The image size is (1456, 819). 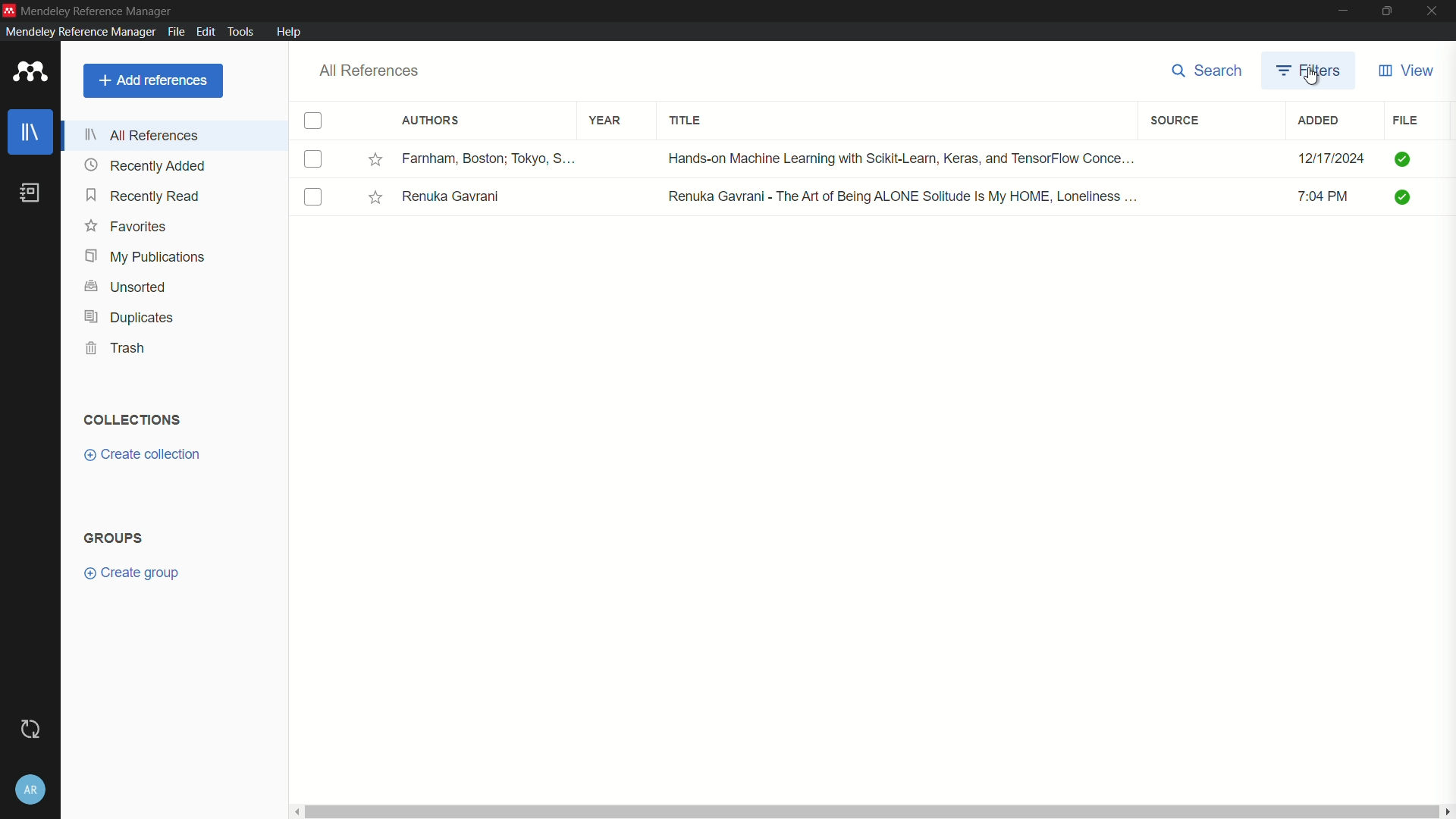 What do you see at coordinates (607, 121) in the screenshot?
I see `year` at bounding box center [607, 121].